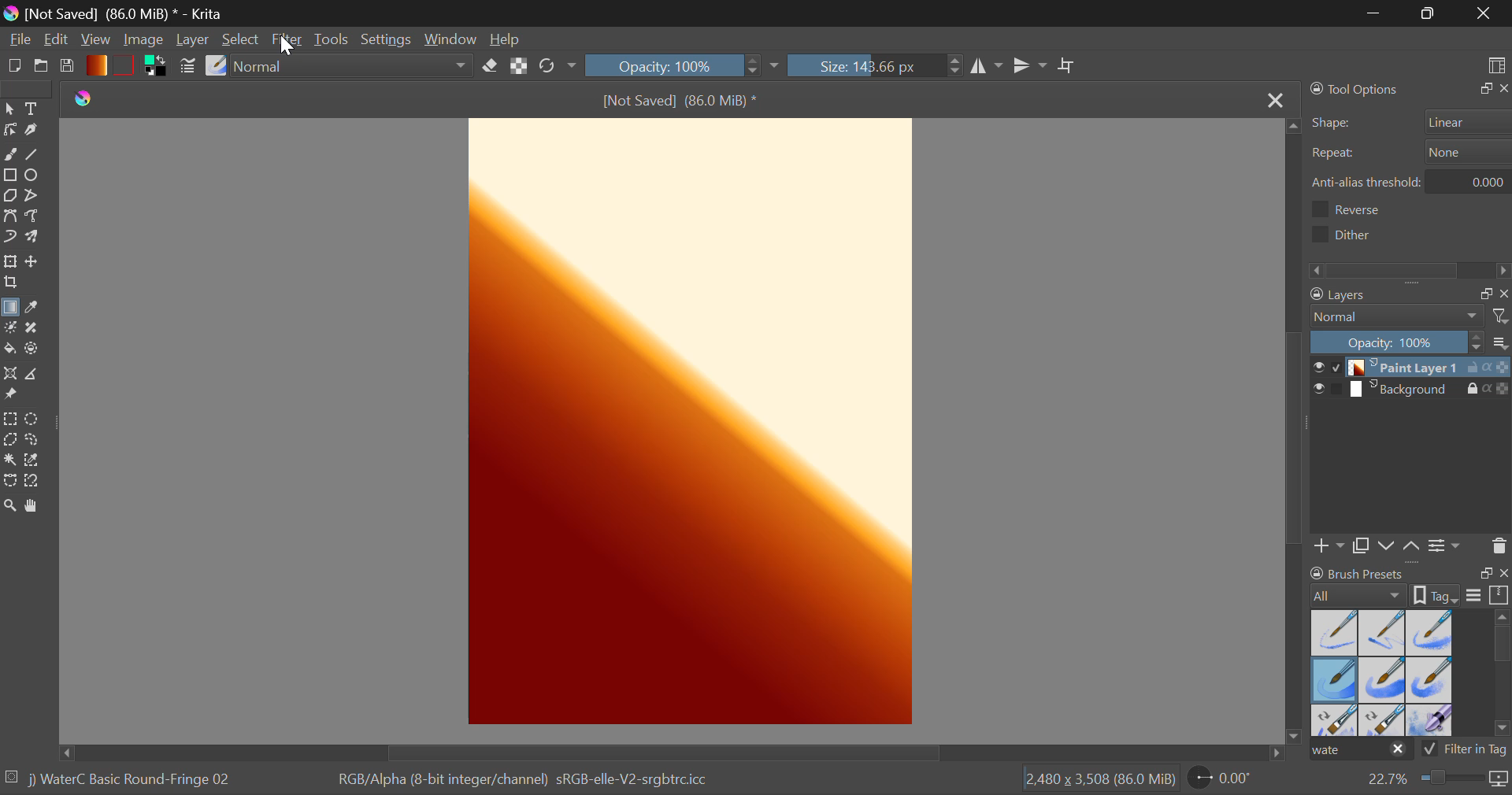 This screenshot has height=795, width=1512. What do you see at coordinates (987, 68) in the screenshot?
I see `Vertical Mirror Flip` at bounding box center [987, 68].